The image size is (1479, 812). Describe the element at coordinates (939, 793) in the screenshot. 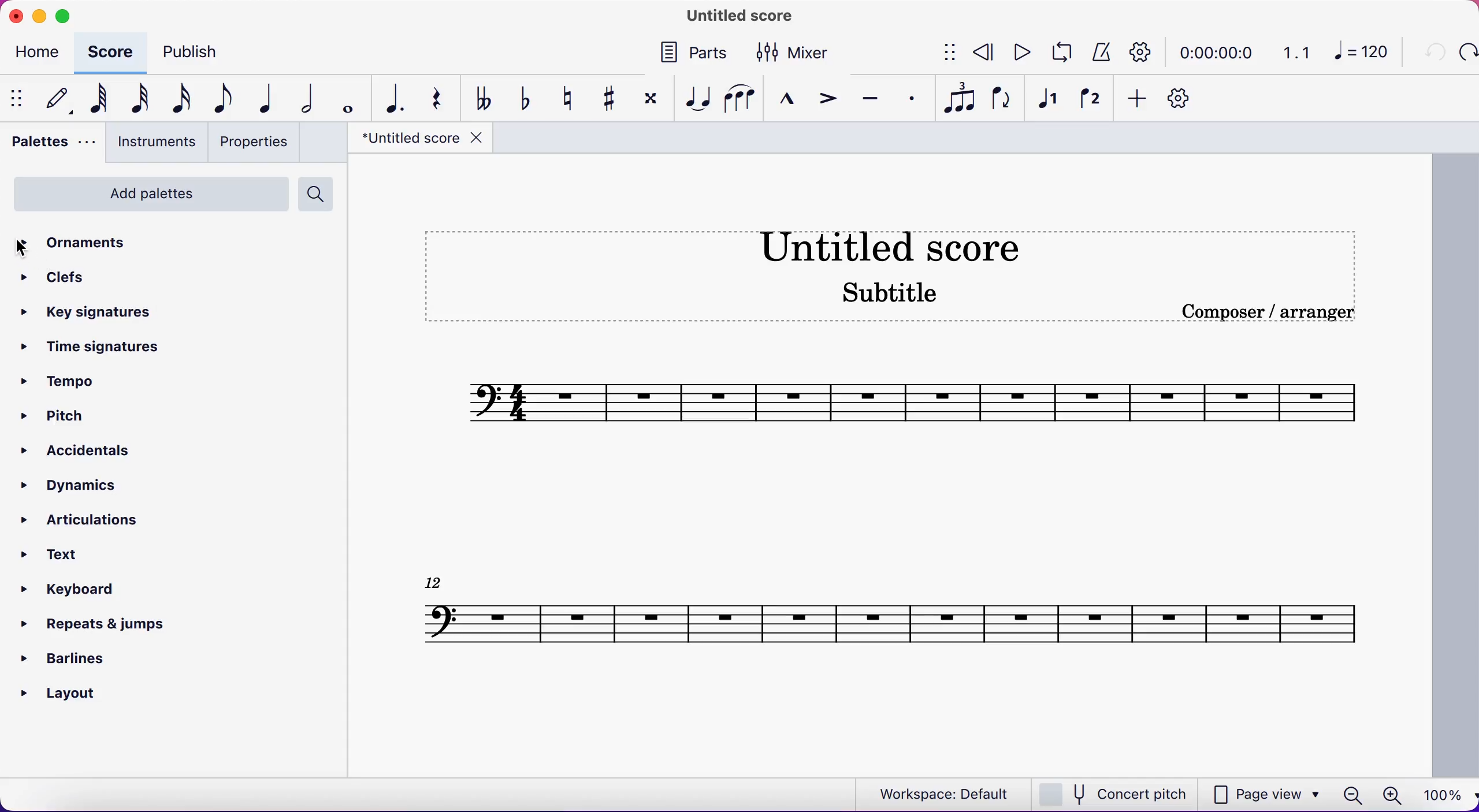

I see `workspace: default` at that location.